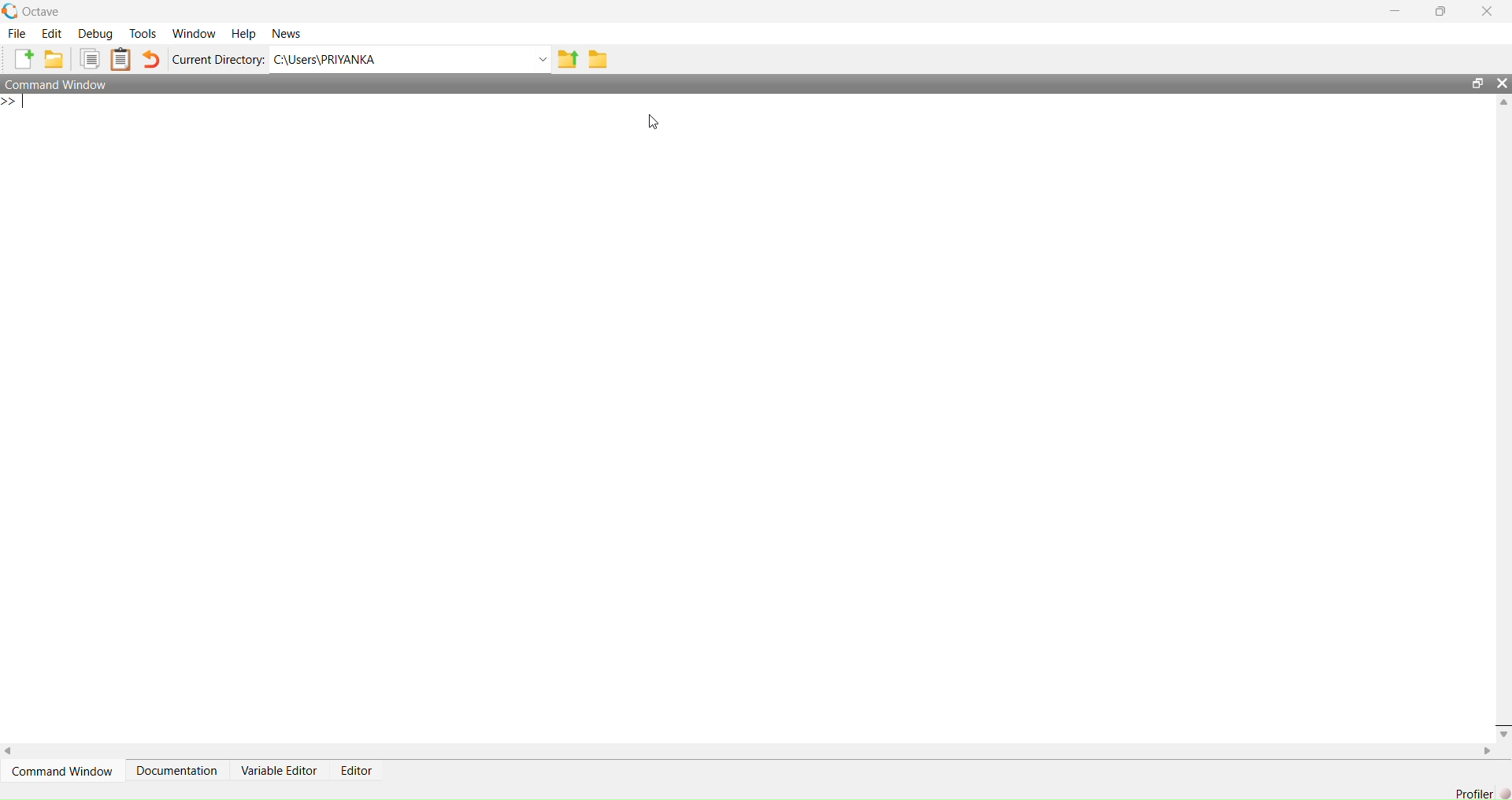  I want to click on Filles, so click(91, 60).